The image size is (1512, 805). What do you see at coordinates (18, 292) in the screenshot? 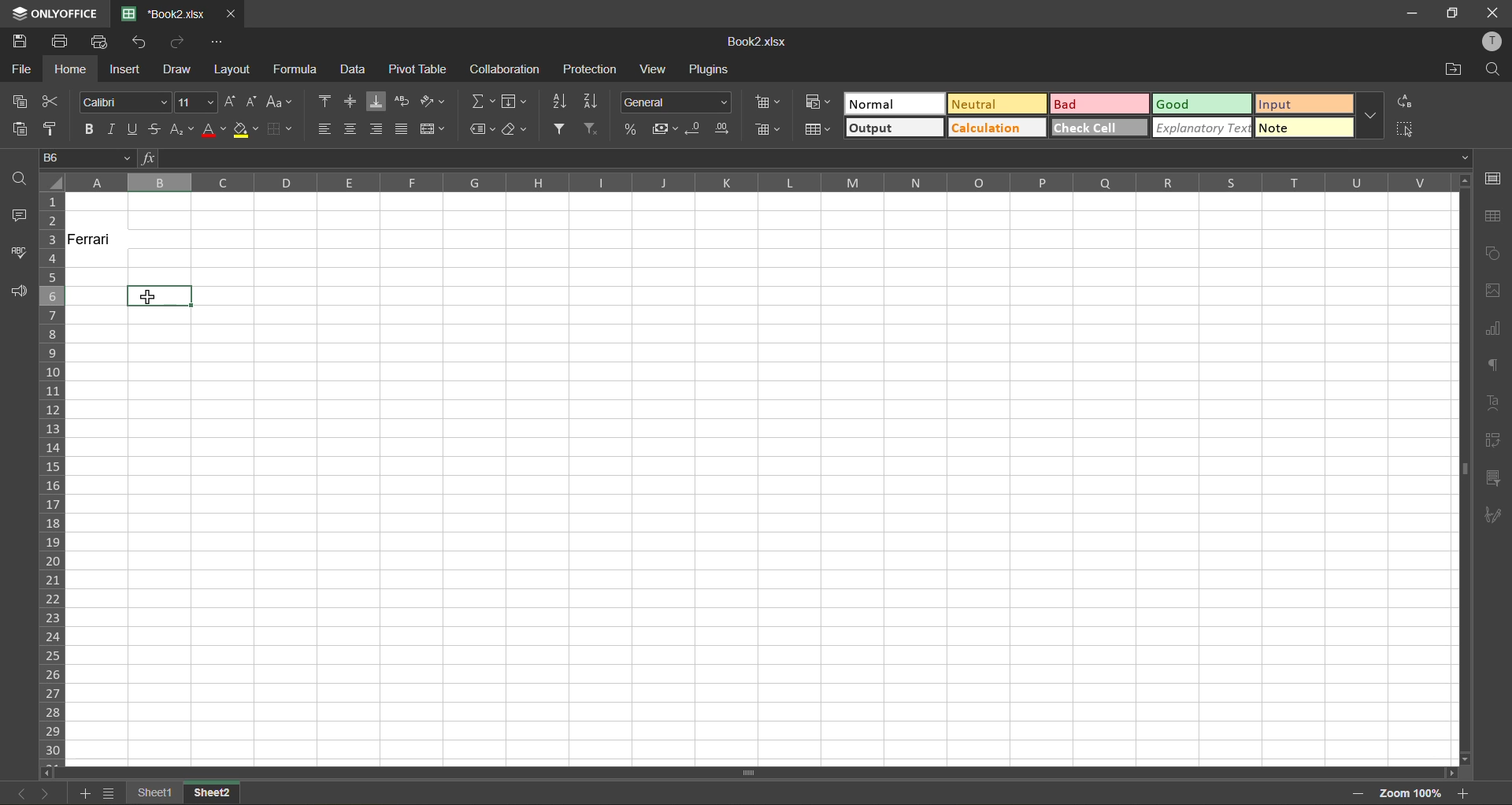
I see `feedback` at bounding box center [18, 292].